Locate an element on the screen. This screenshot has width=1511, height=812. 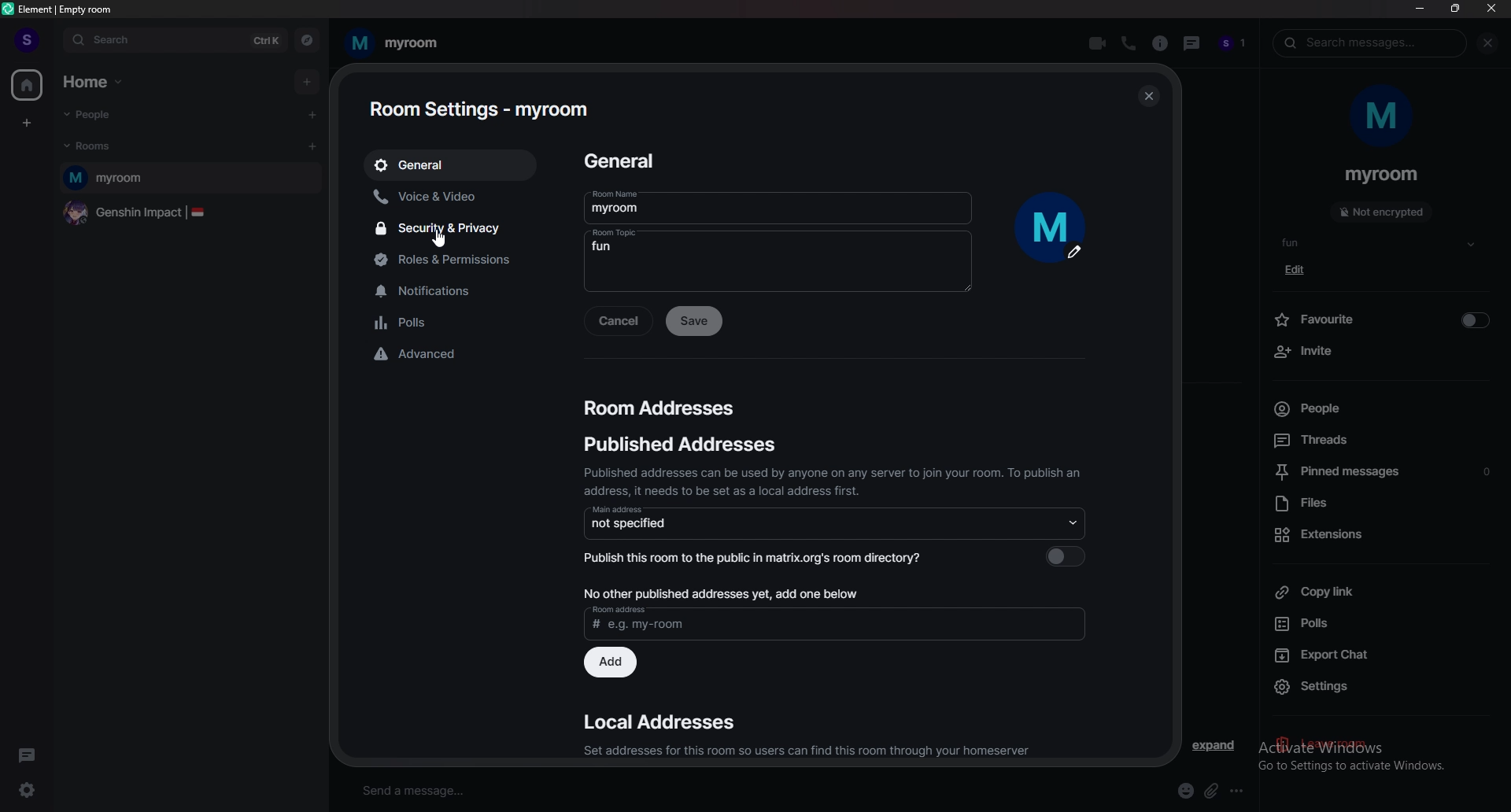
published addresses is located at coordinates (678, 444).